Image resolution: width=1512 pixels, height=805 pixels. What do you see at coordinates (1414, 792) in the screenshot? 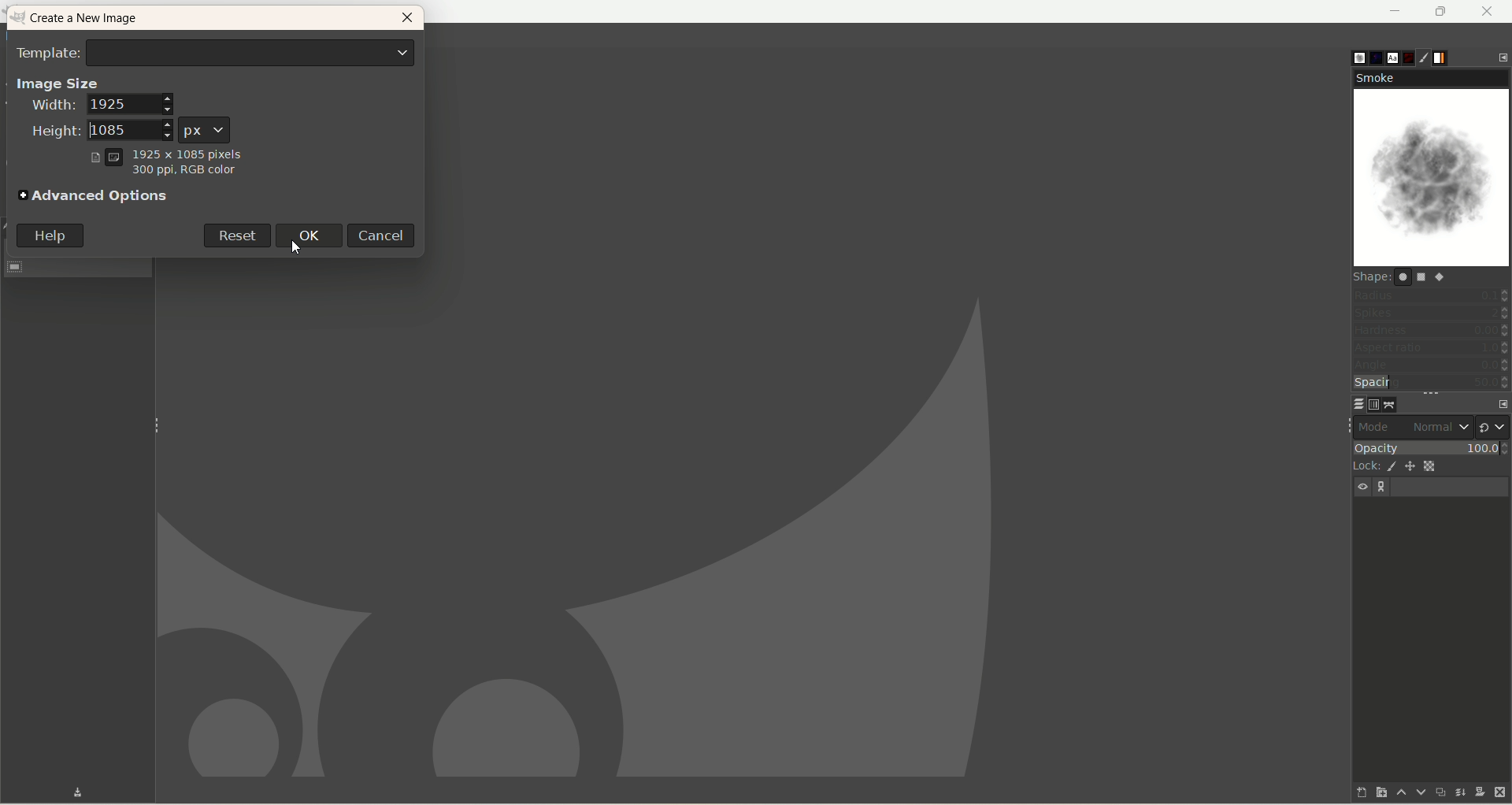
I see `lower this layer one step` at bounding box center [1414, 792].